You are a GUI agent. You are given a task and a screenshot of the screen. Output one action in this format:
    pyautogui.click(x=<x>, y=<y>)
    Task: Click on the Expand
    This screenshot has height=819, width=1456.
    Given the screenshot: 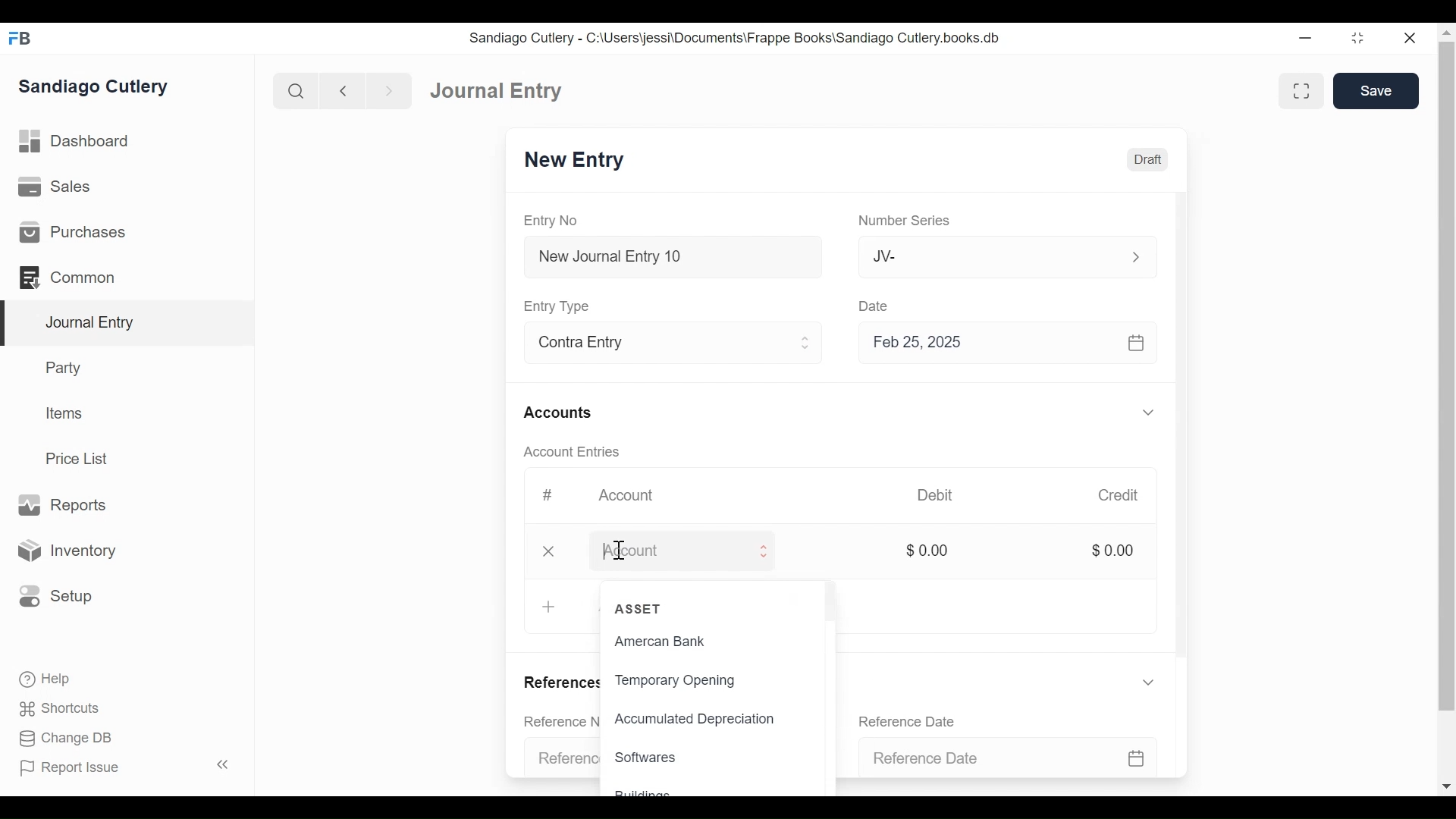 What is the action you would take?
    pyautogui.click(x=773, y=552)
    